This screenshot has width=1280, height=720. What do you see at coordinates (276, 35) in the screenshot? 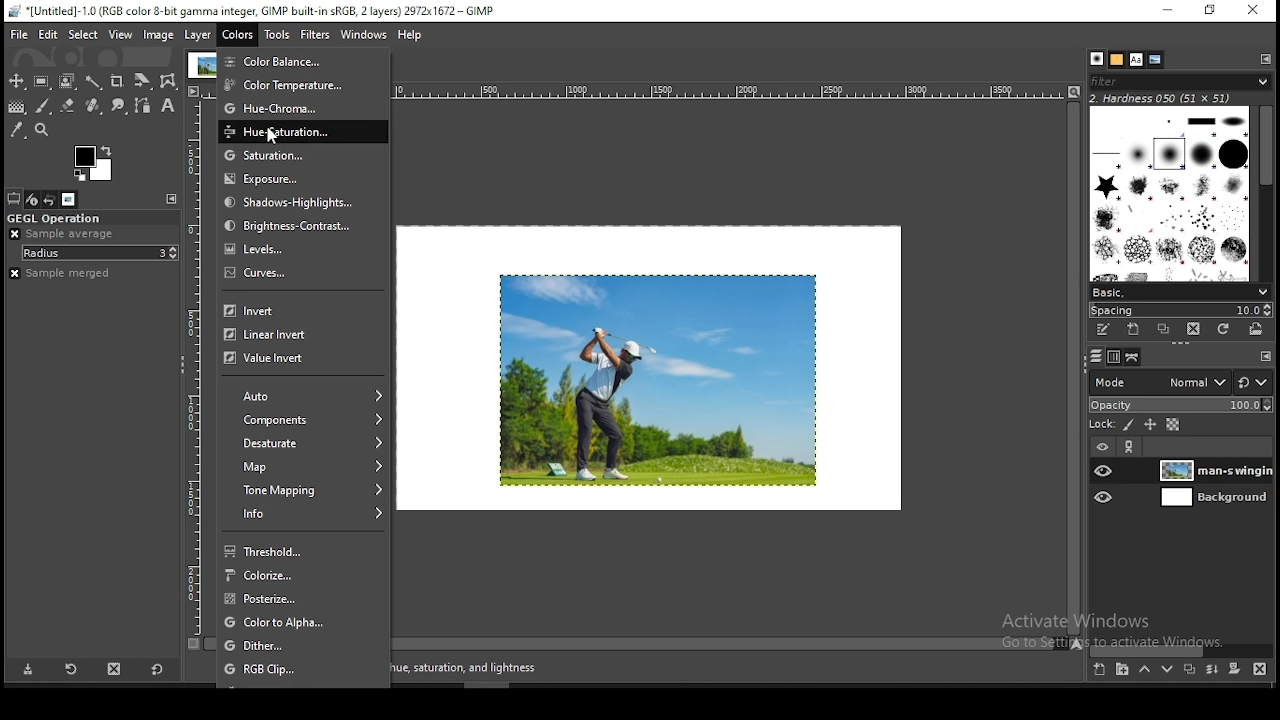
I see `tools` at bounding box center [276, 35].